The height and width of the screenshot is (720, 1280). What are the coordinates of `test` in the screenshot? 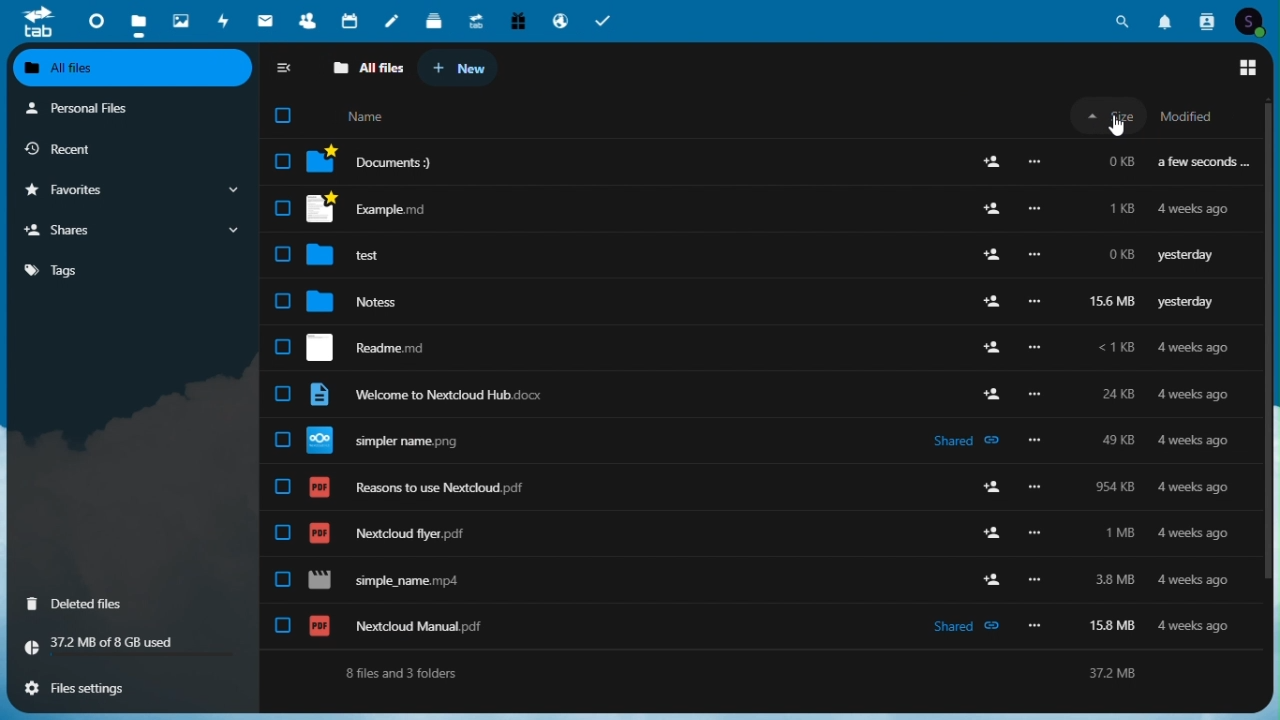 It's located at (744, 258).